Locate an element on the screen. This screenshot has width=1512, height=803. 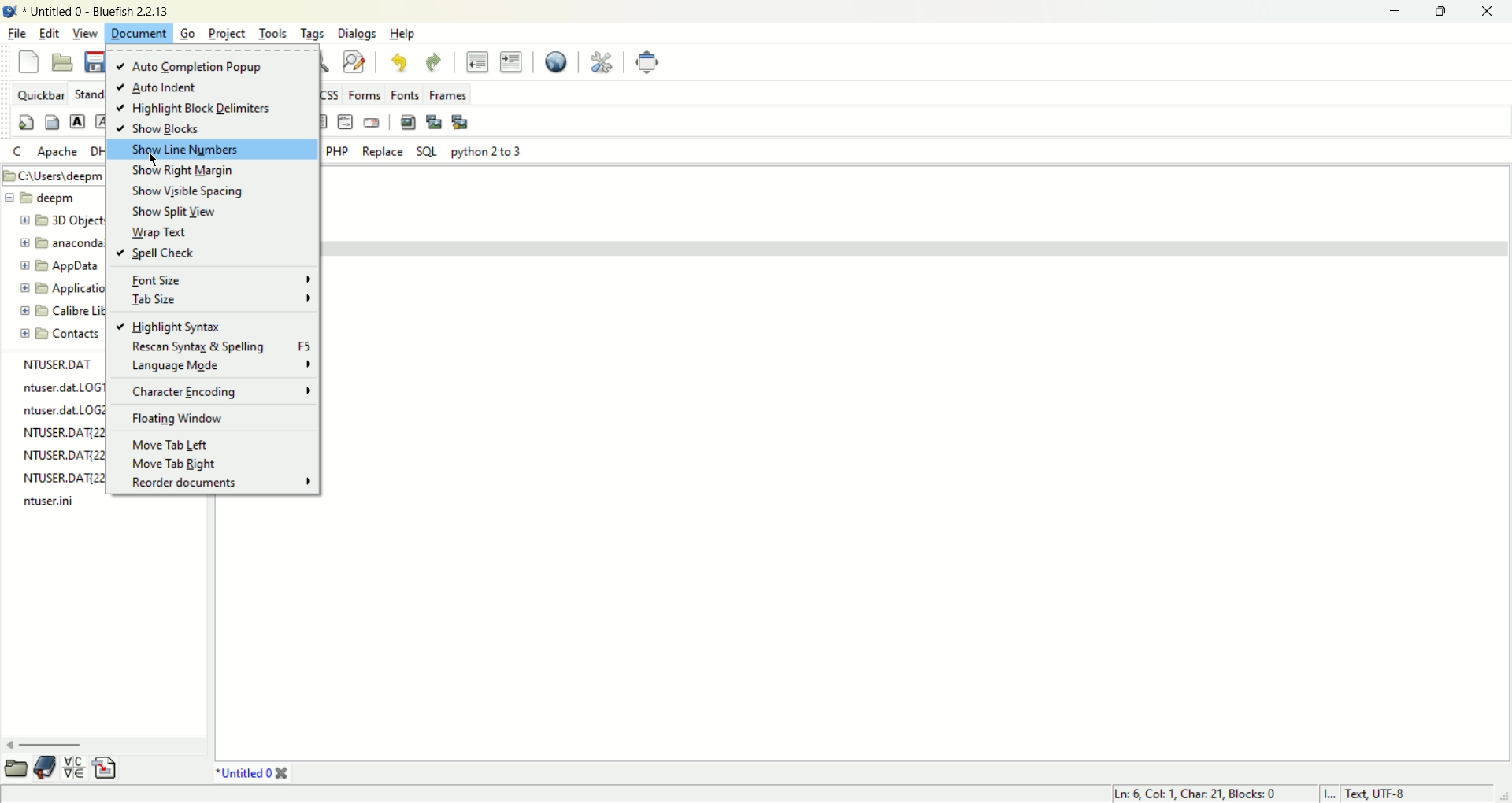
application is located at coordinates (60, 290).